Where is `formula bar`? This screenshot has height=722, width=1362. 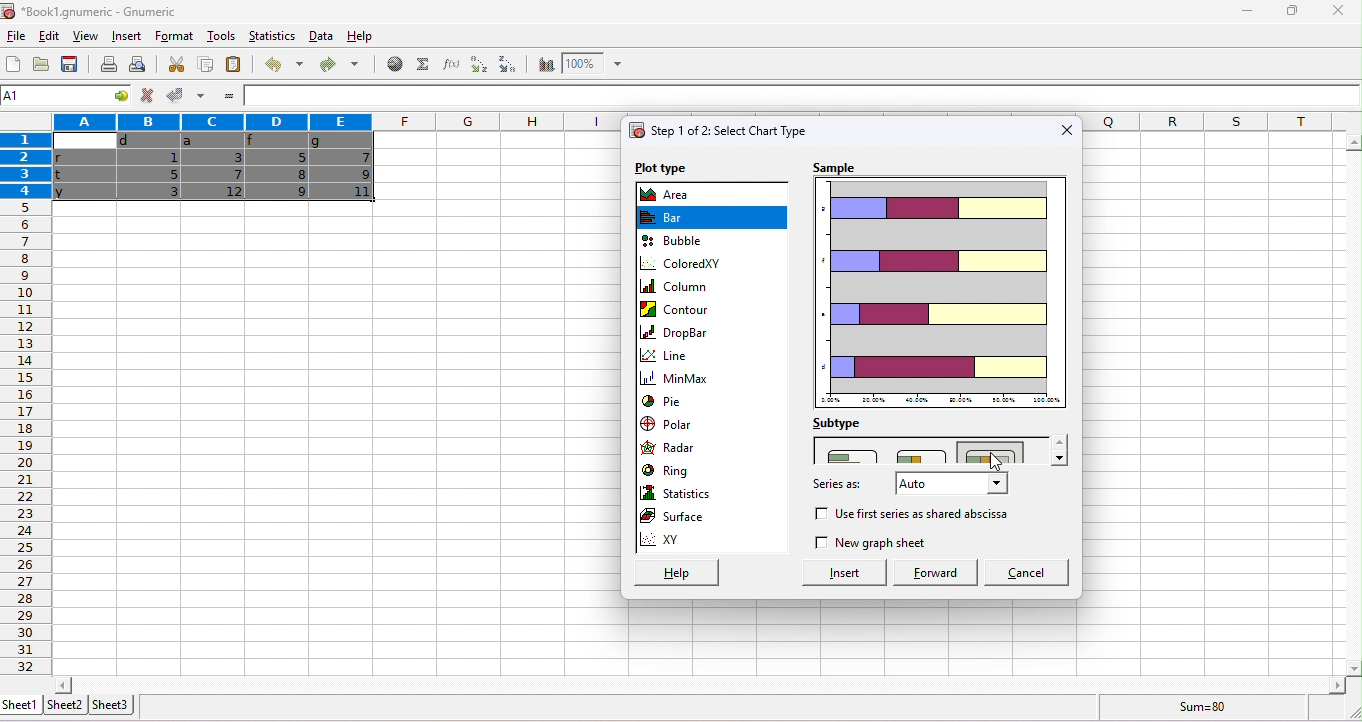 formula bar is located at coordinates (803, 95).